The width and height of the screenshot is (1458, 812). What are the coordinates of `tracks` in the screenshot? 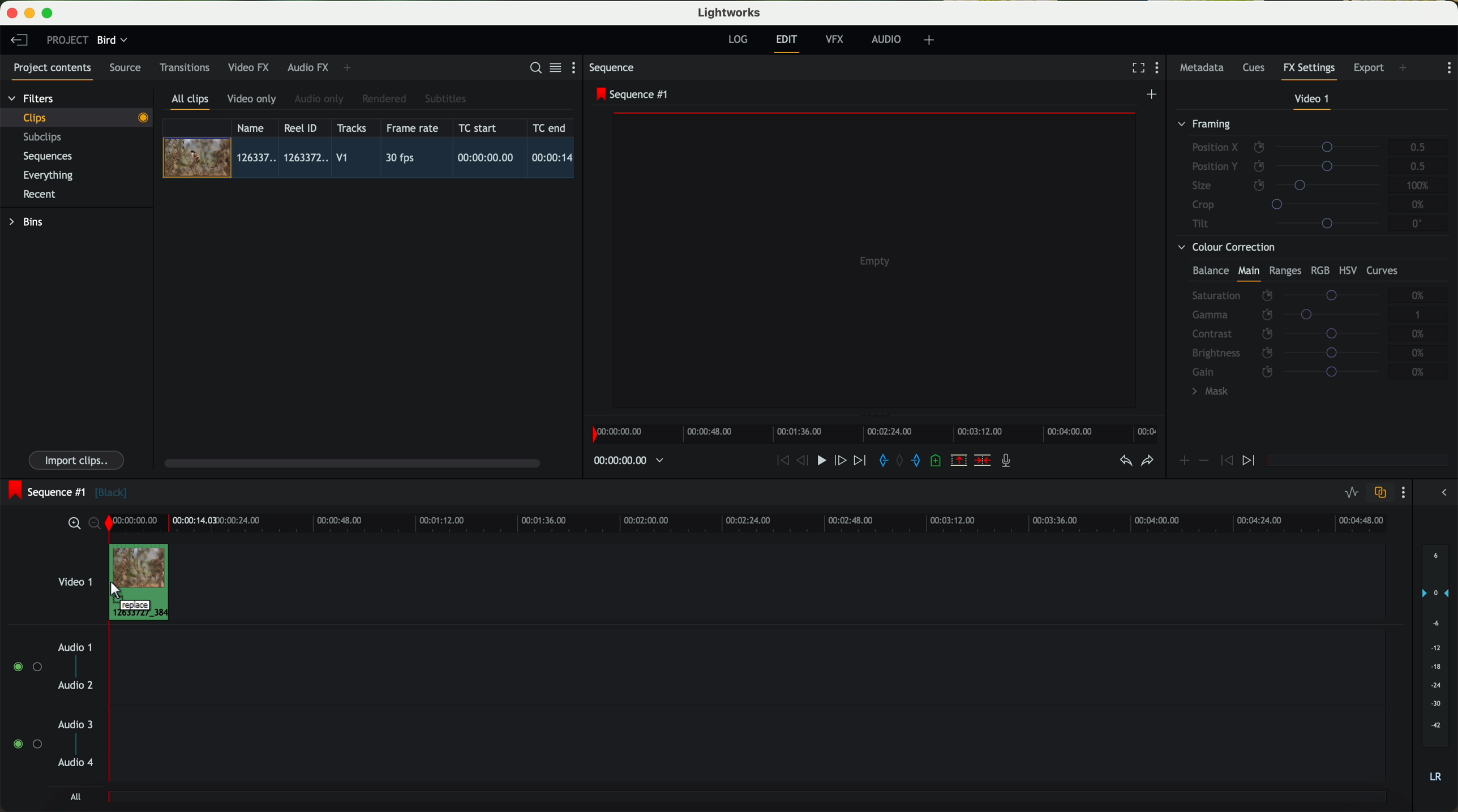 It's located at (350, 128).